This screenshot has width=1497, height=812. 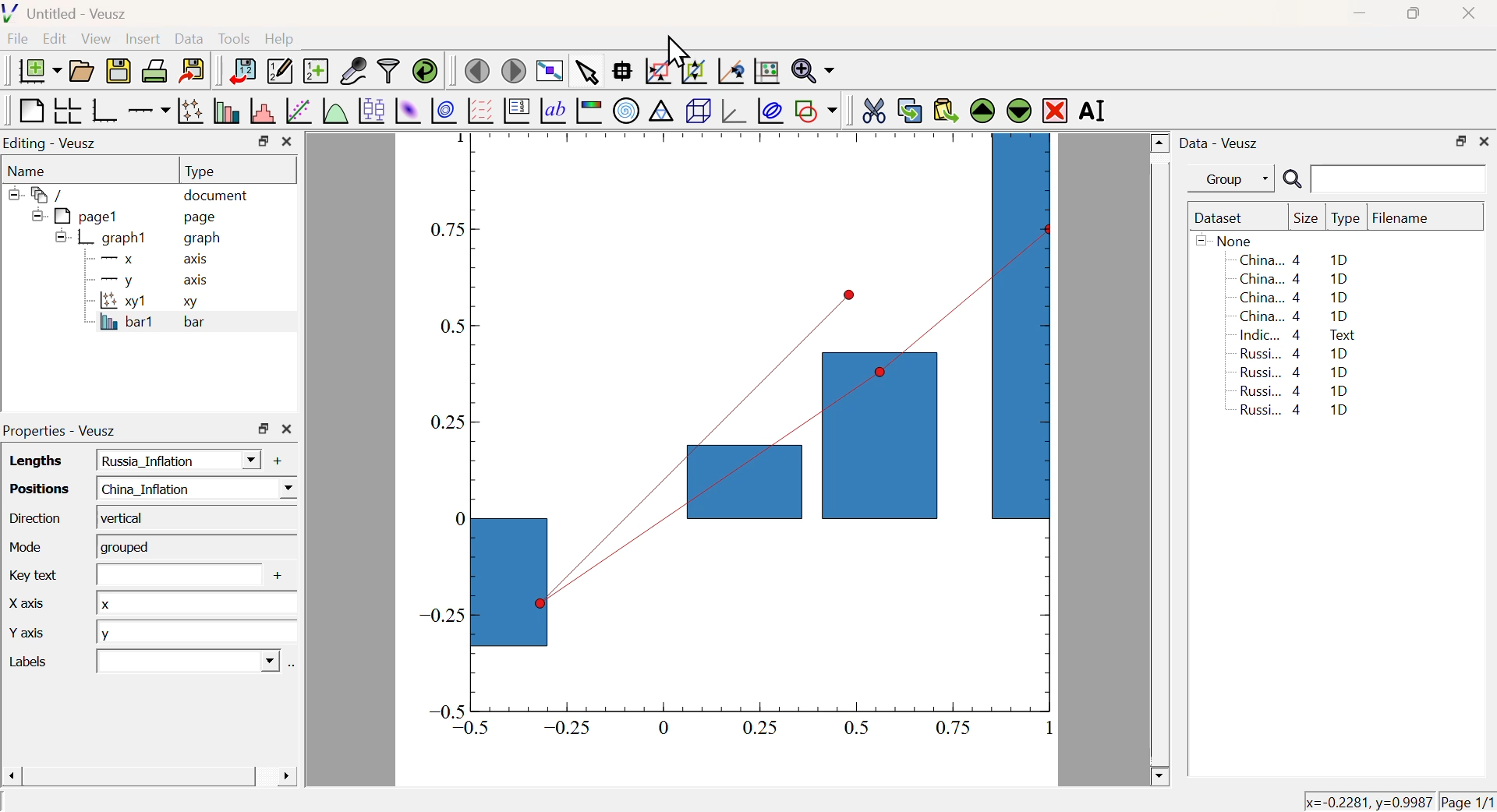 I want to click on Group, so click(x=1236, y=180).